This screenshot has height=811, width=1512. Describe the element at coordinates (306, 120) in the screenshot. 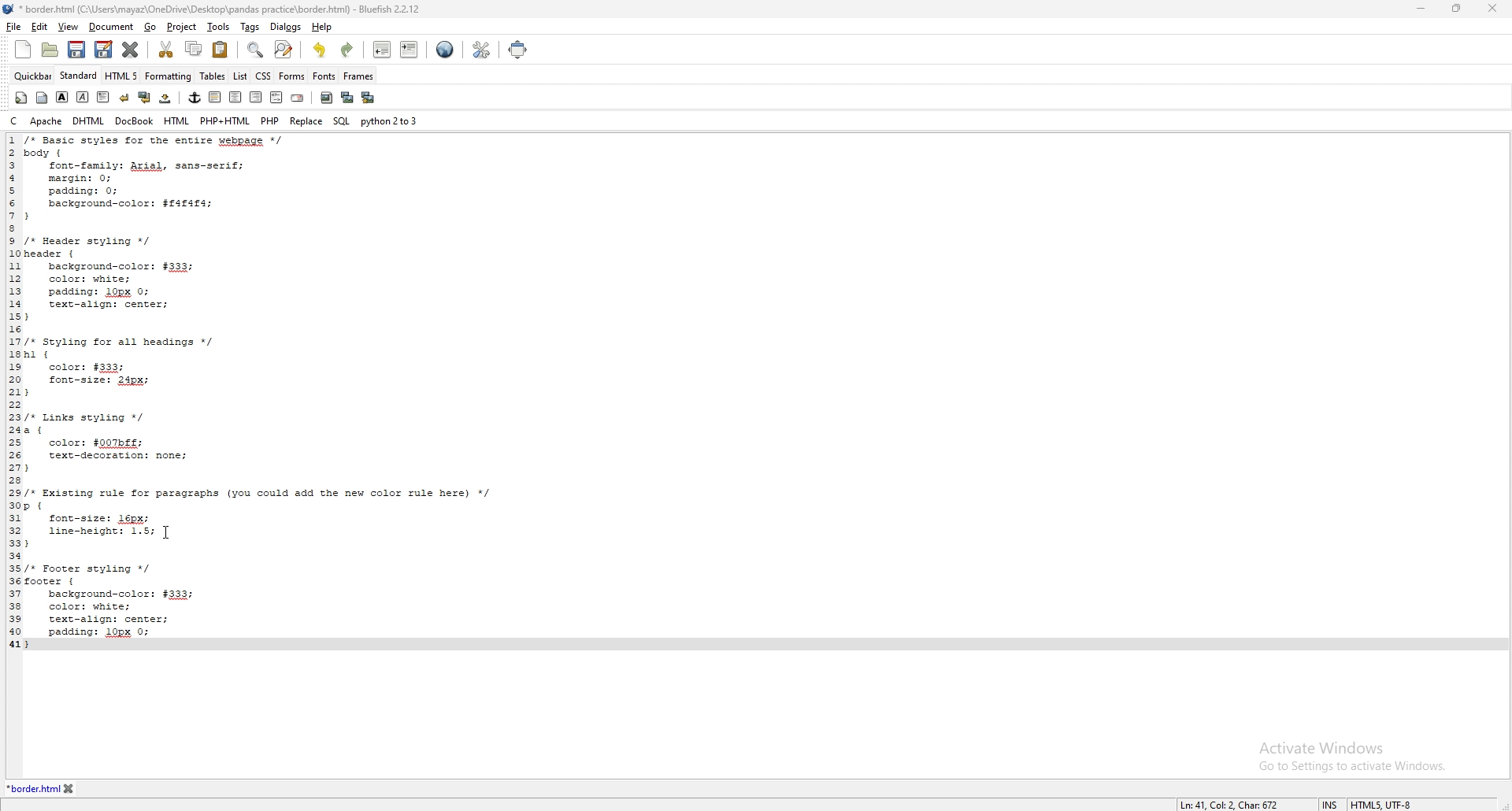

I see `replace` at that location.